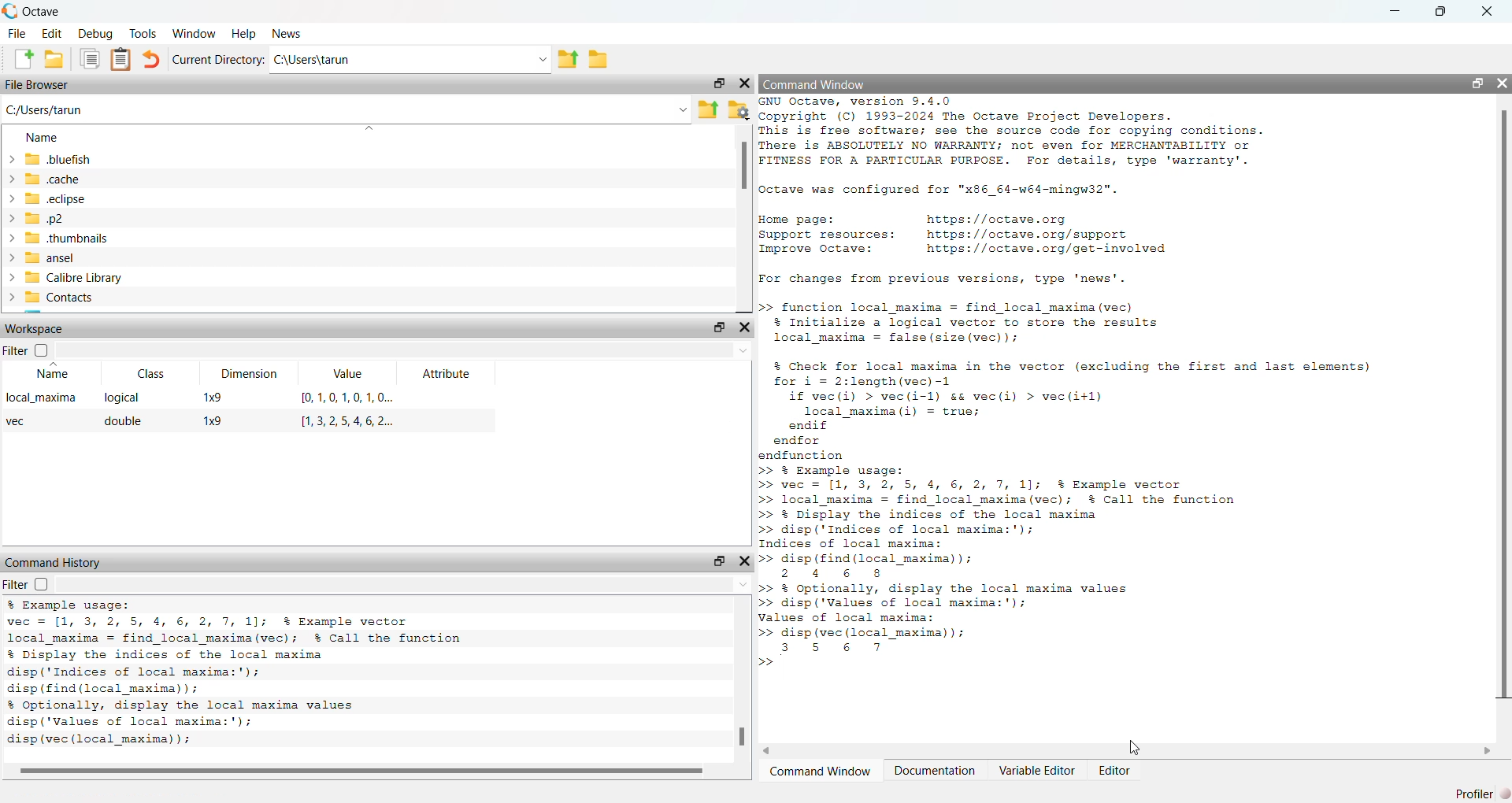 The width and height of the screenshot is (1512, 803). What do you see at coordinates (43, 136) in the screenshot?
I see `Name` at bounding box center [43, 136].